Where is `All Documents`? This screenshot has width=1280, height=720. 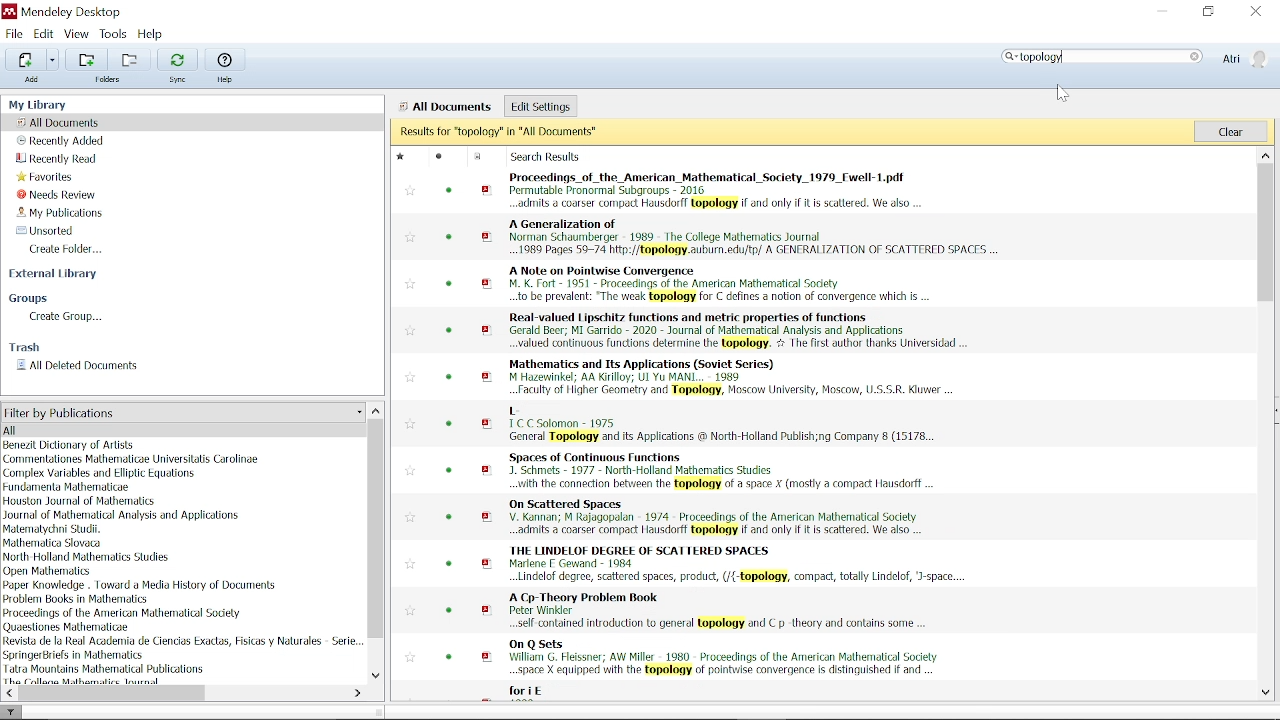 All Documents is located at coordinates (62, 122).